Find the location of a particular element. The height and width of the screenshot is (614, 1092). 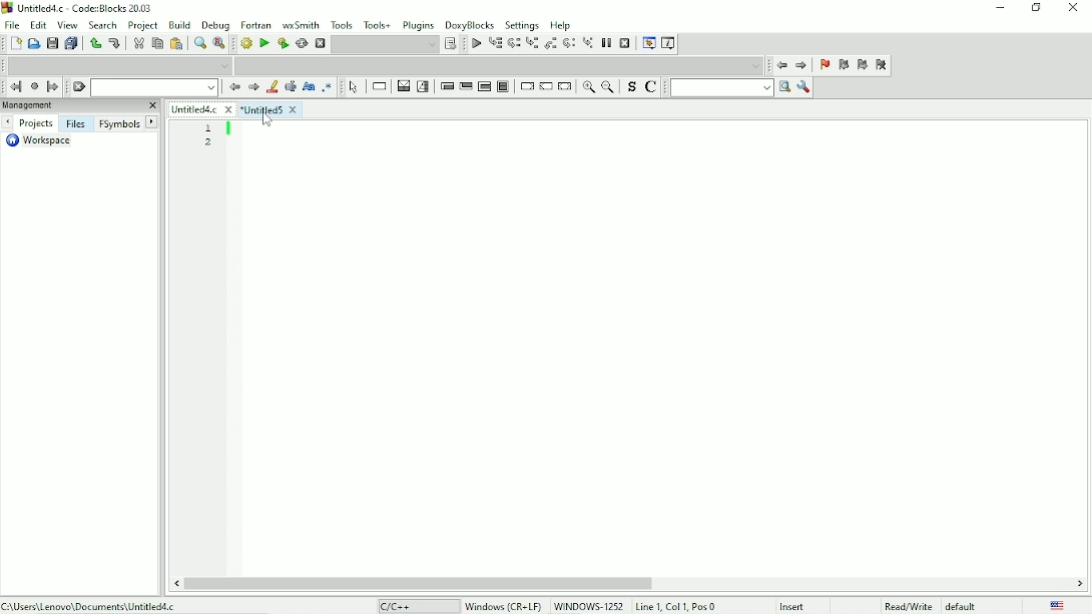

Windows is located at coordinates (547, 607).